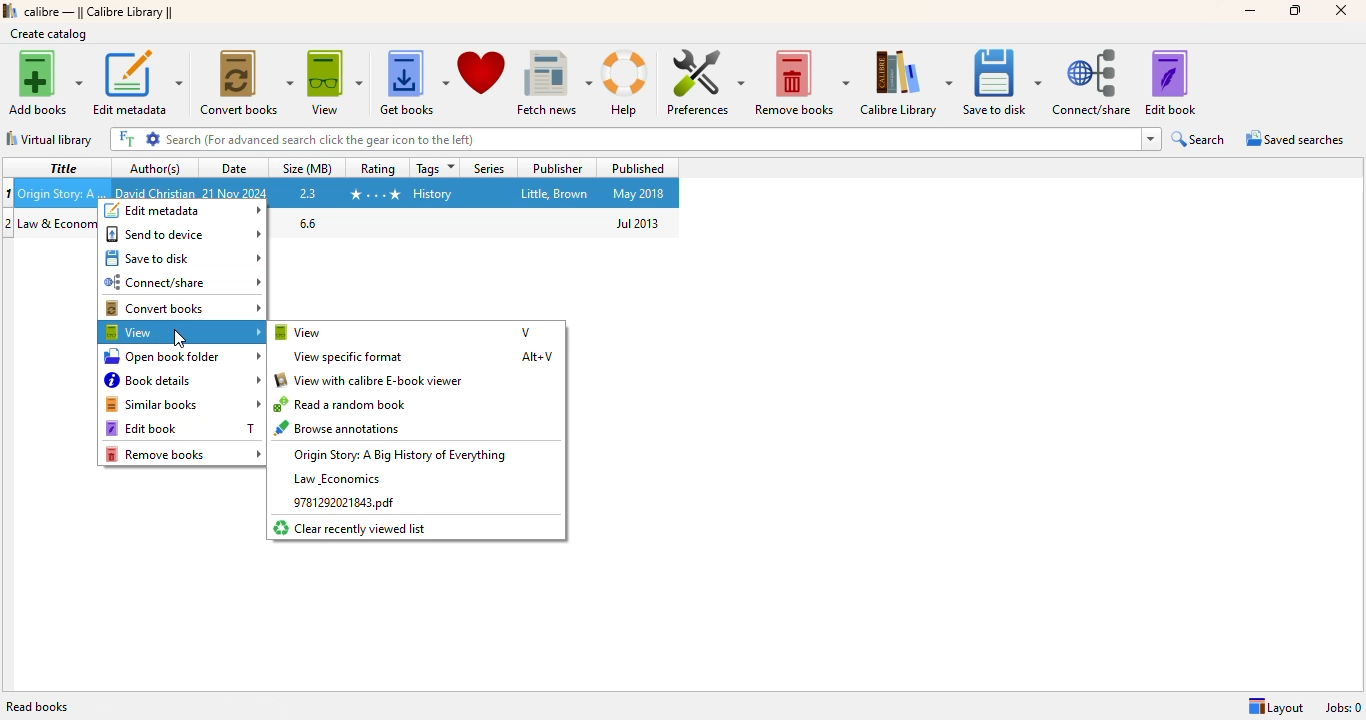 The image size is (1366, 720). What do you see at coordinates (155, 192) in the screenshot?
I see `Author` at bounding box center [155, 192].